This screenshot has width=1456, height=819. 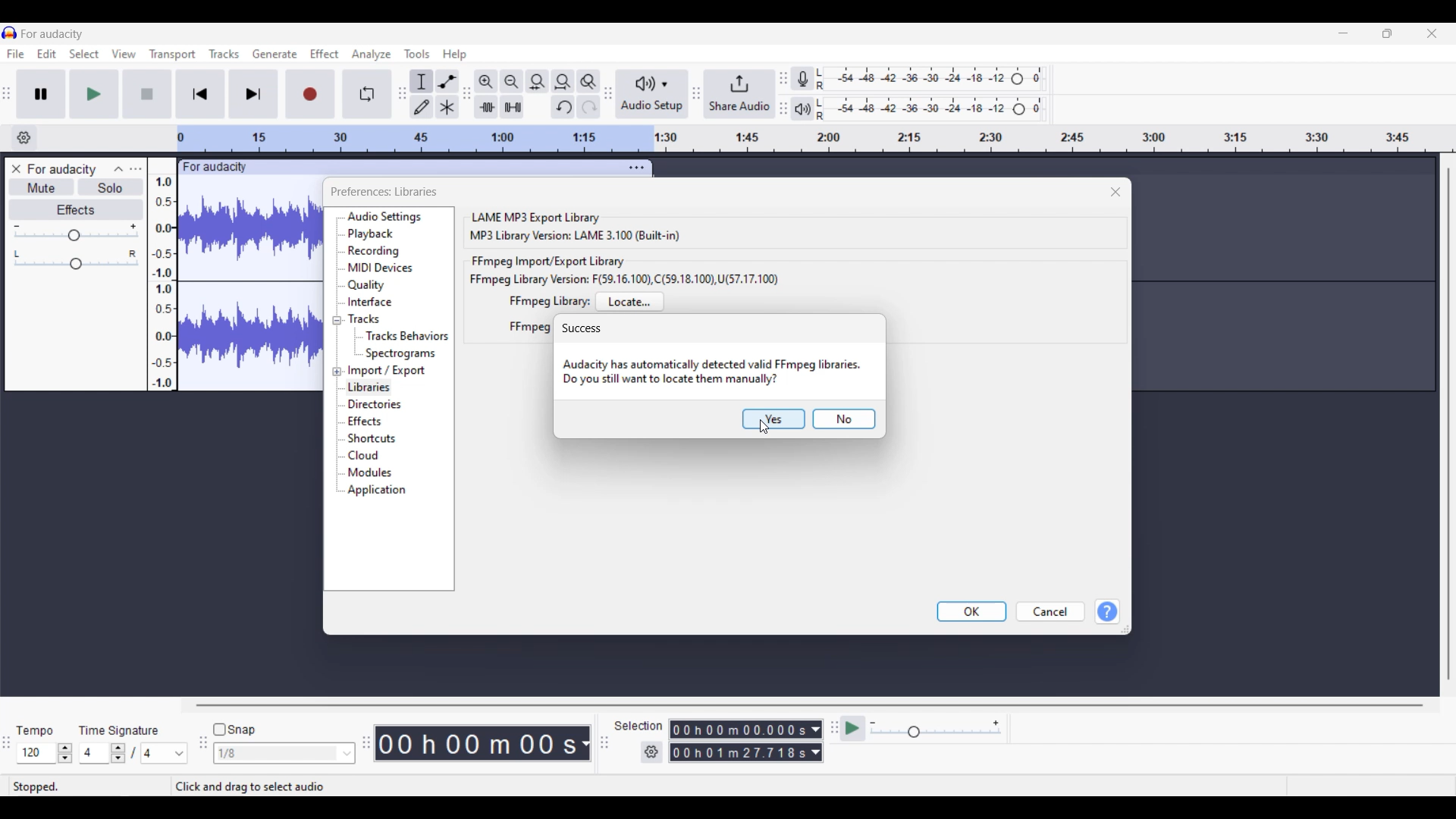 What do you see at coordinates (930, 109) in the screenshot?
I see `Playback level` at bounding box center [930, 109].